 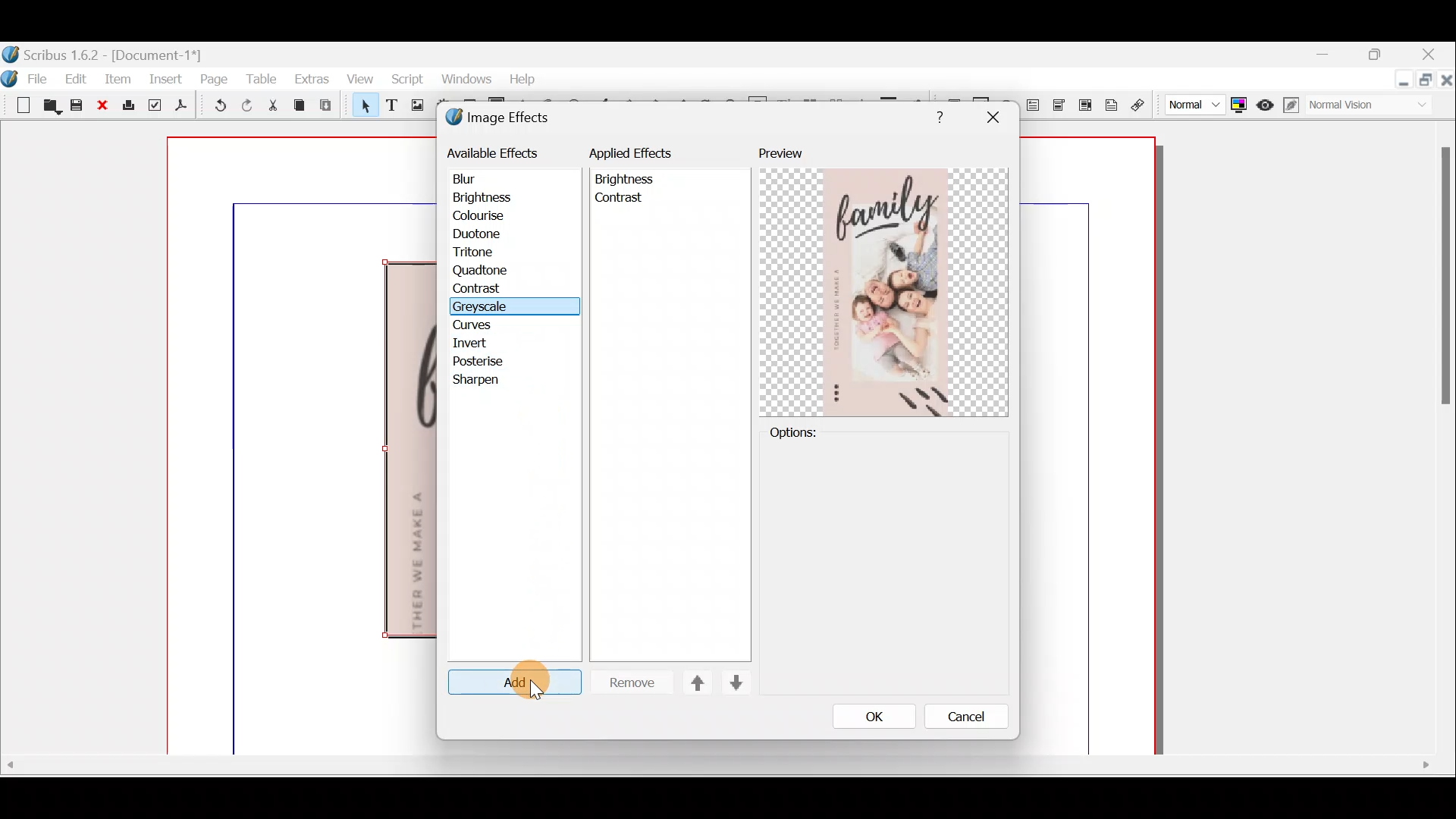 I want to click on invert, so click(x=479, y=344).